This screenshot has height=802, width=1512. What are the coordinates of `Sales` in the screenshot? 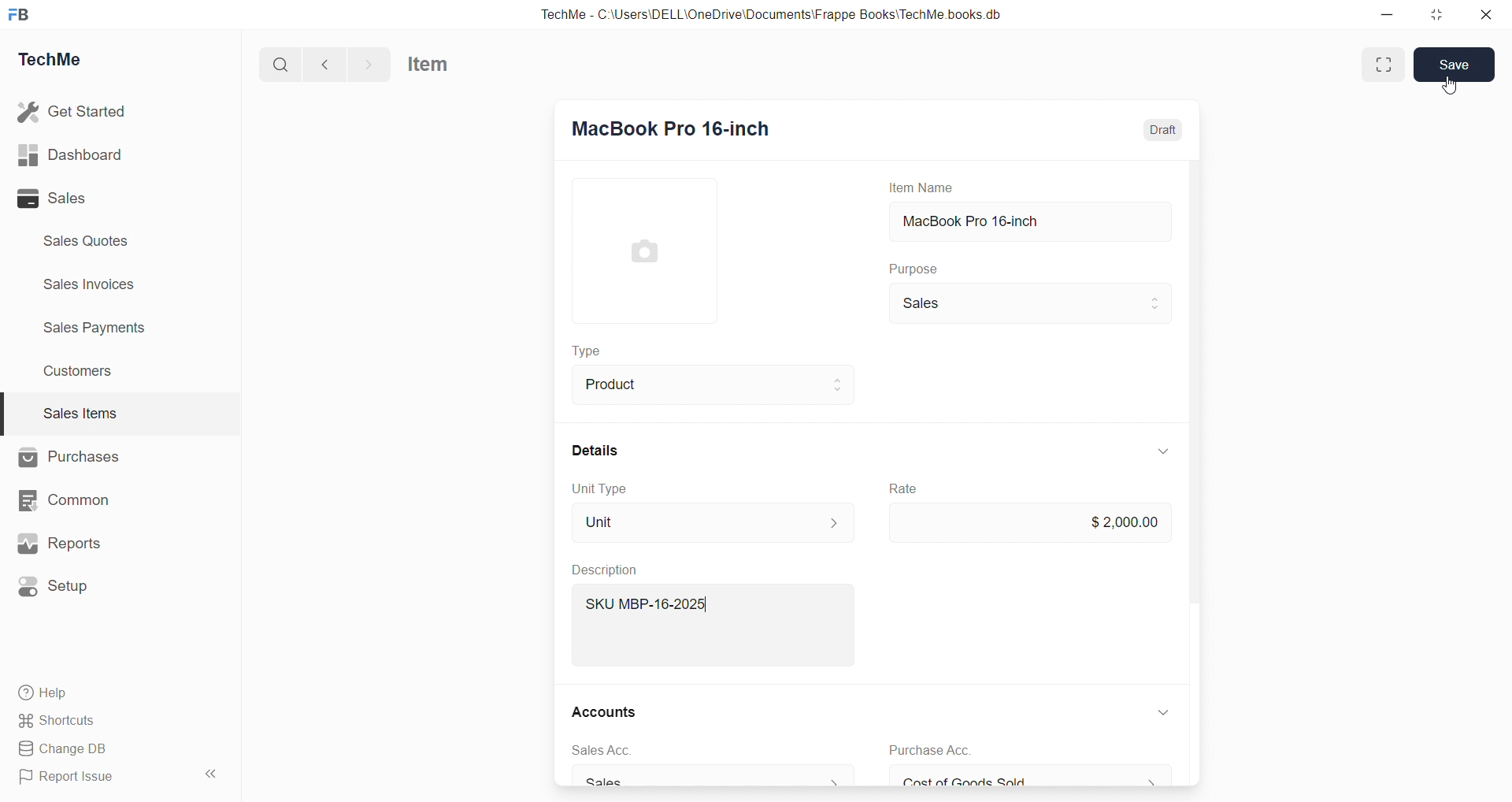 It's located at (712, 778).